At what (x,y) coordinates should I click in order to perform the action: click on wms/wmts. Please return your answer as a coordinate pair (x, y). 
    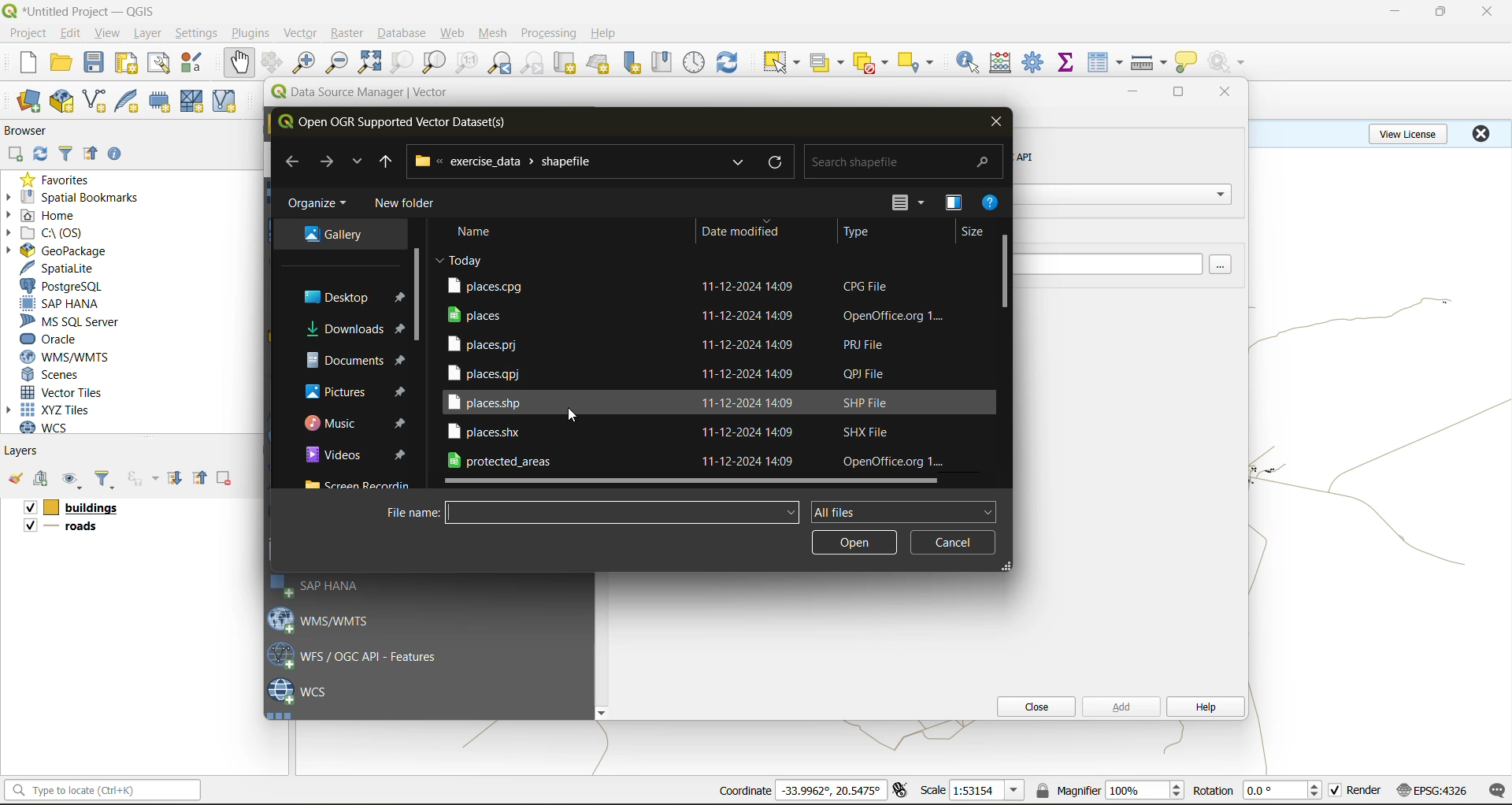
    Looking at the image, I should click on (327, 619).